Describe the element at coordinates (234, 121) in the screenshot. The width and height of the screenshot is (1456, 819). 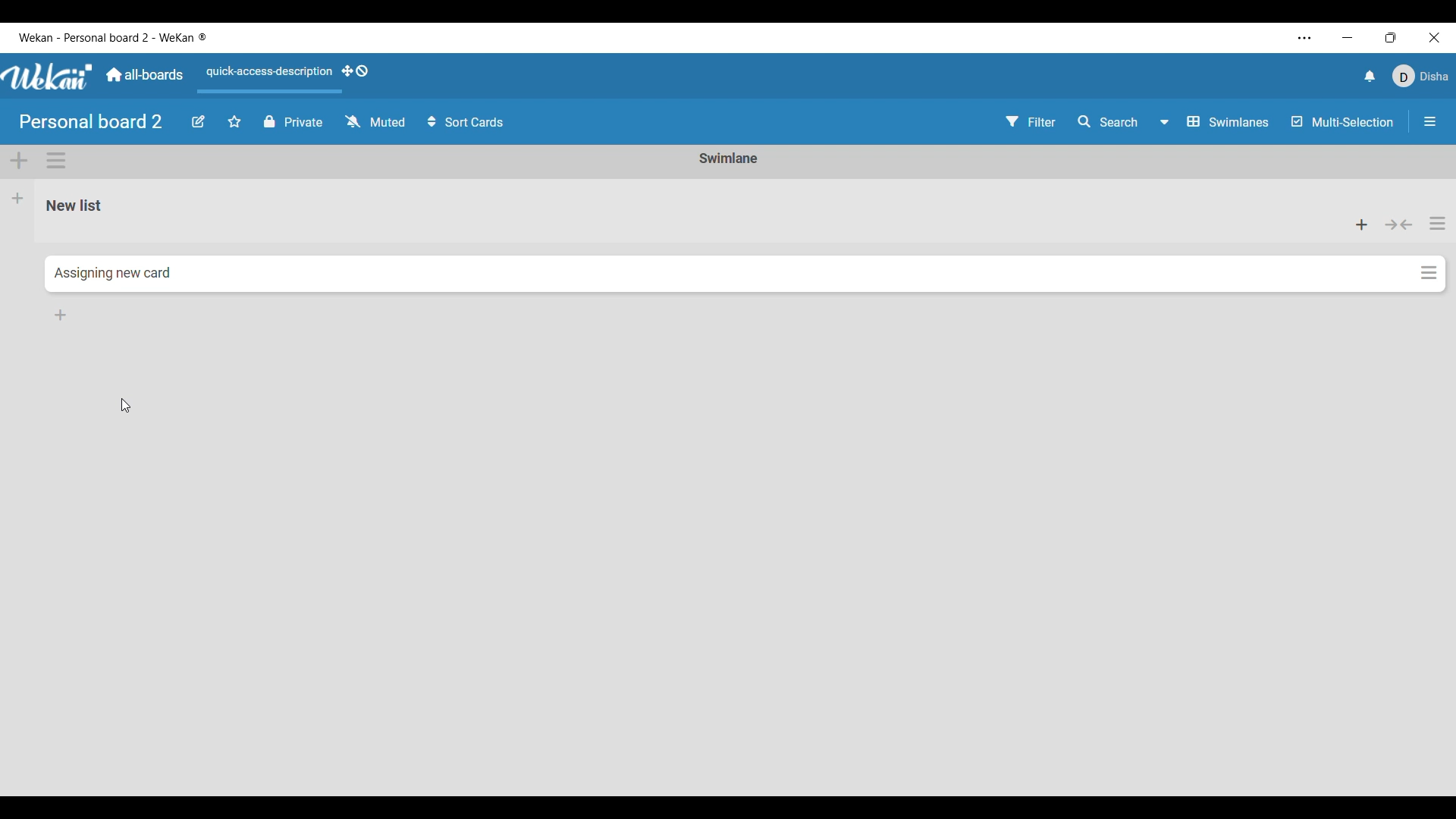
I see `Star board` at that location.